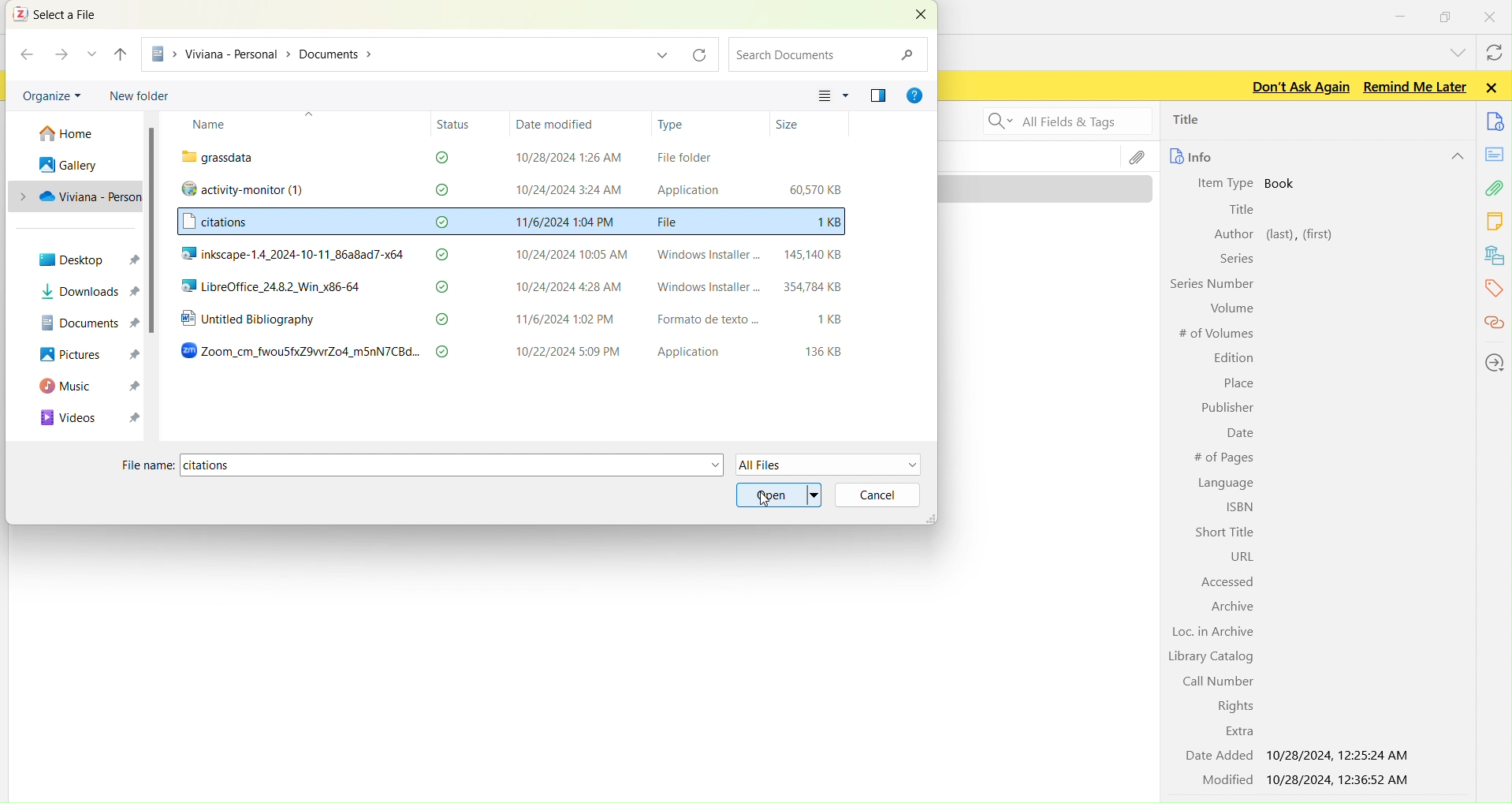  What do you see at coordinates (1227, 183) in the screenshot?
I see `Item Type` at bounding box center [1227, 183].